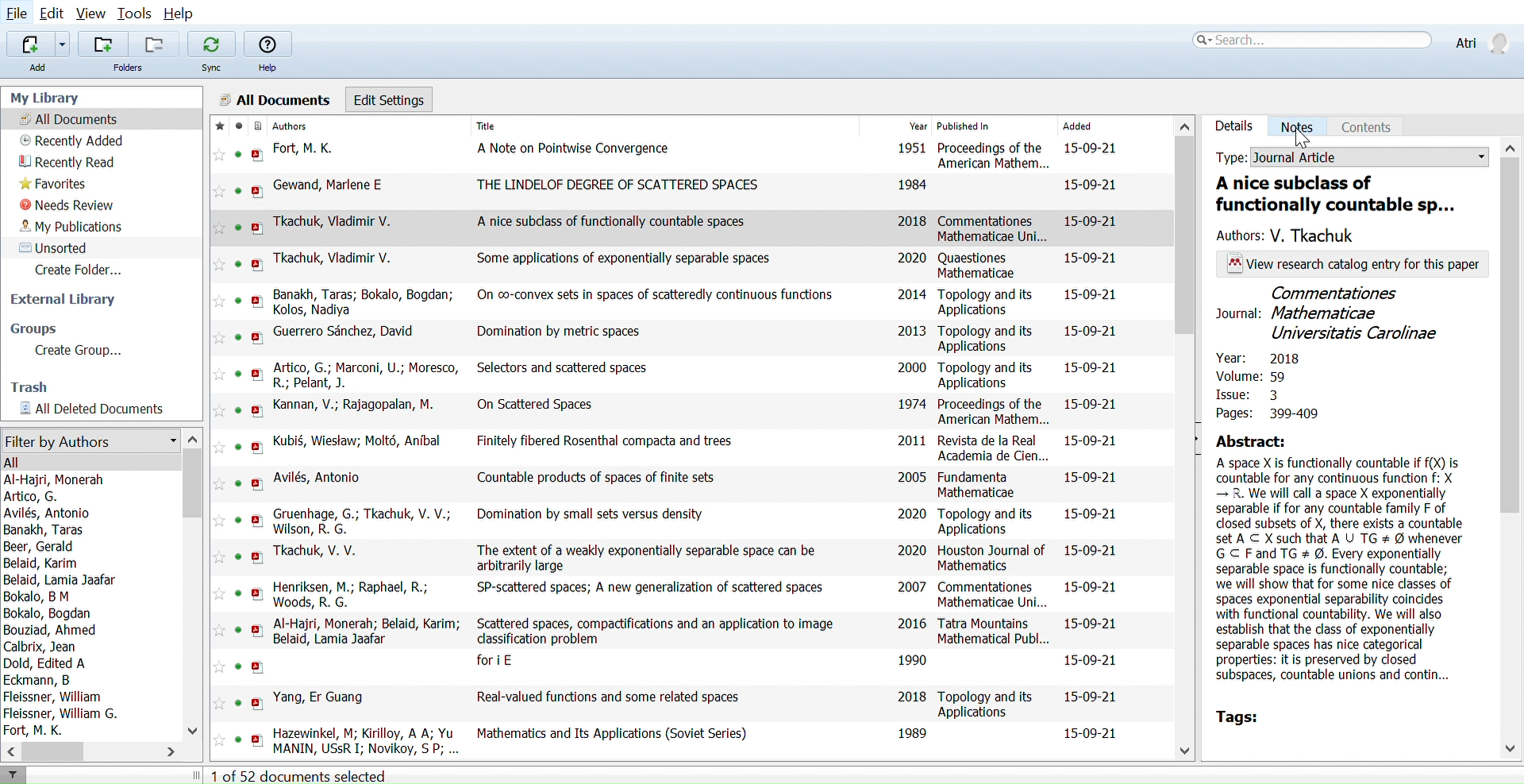  I want to click on Eckmann, B, so click(38, 680).